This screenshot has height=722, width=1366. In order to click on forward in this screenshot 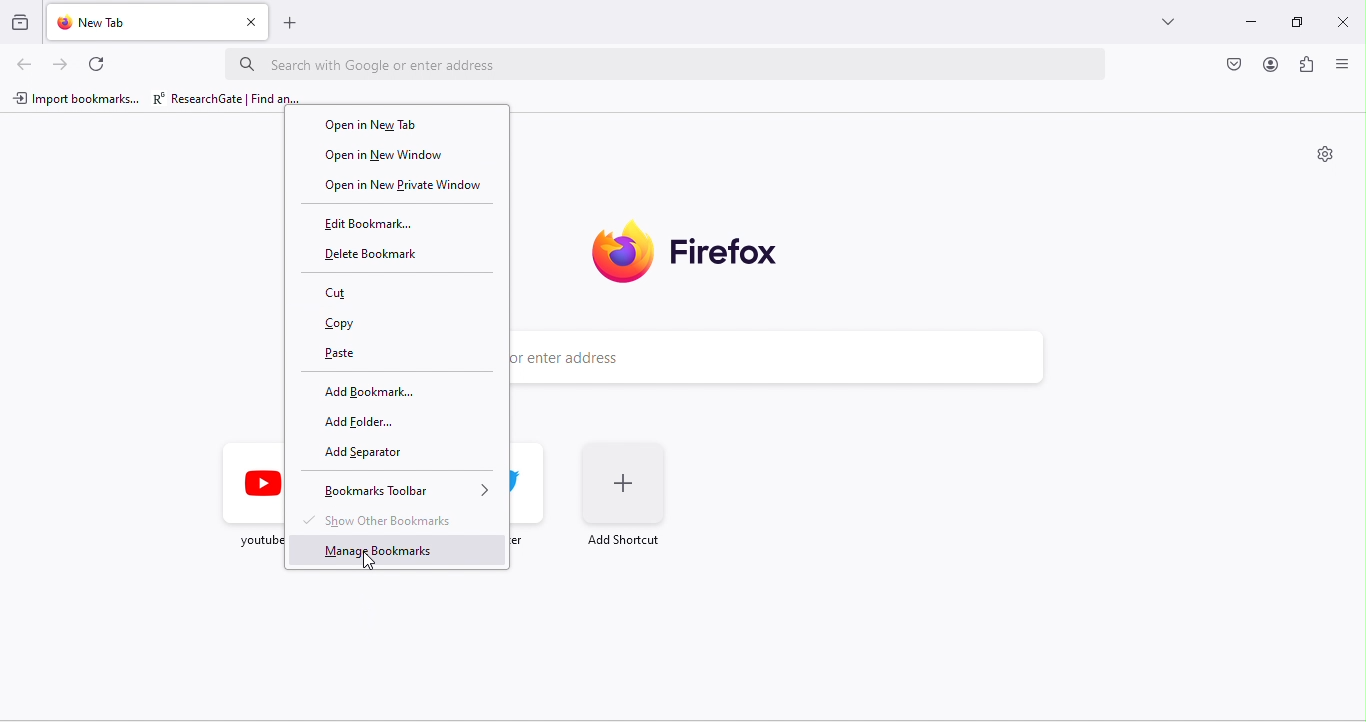, I will do `click(65, 65)`.